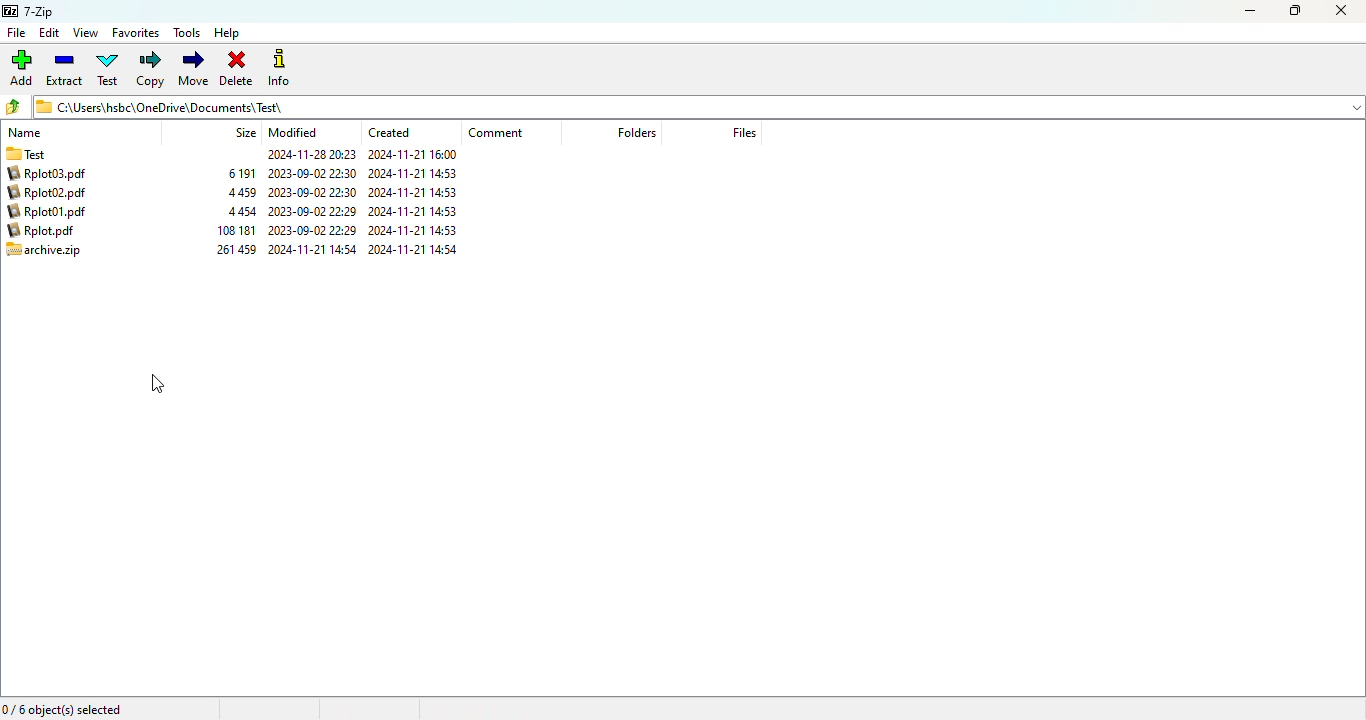 Image resolution: width=1366 pixels, height=720 pixels. What do you see at coordinates (136, 33) in the screenshot?
I see `favorites` at bounding box center [136, 33].